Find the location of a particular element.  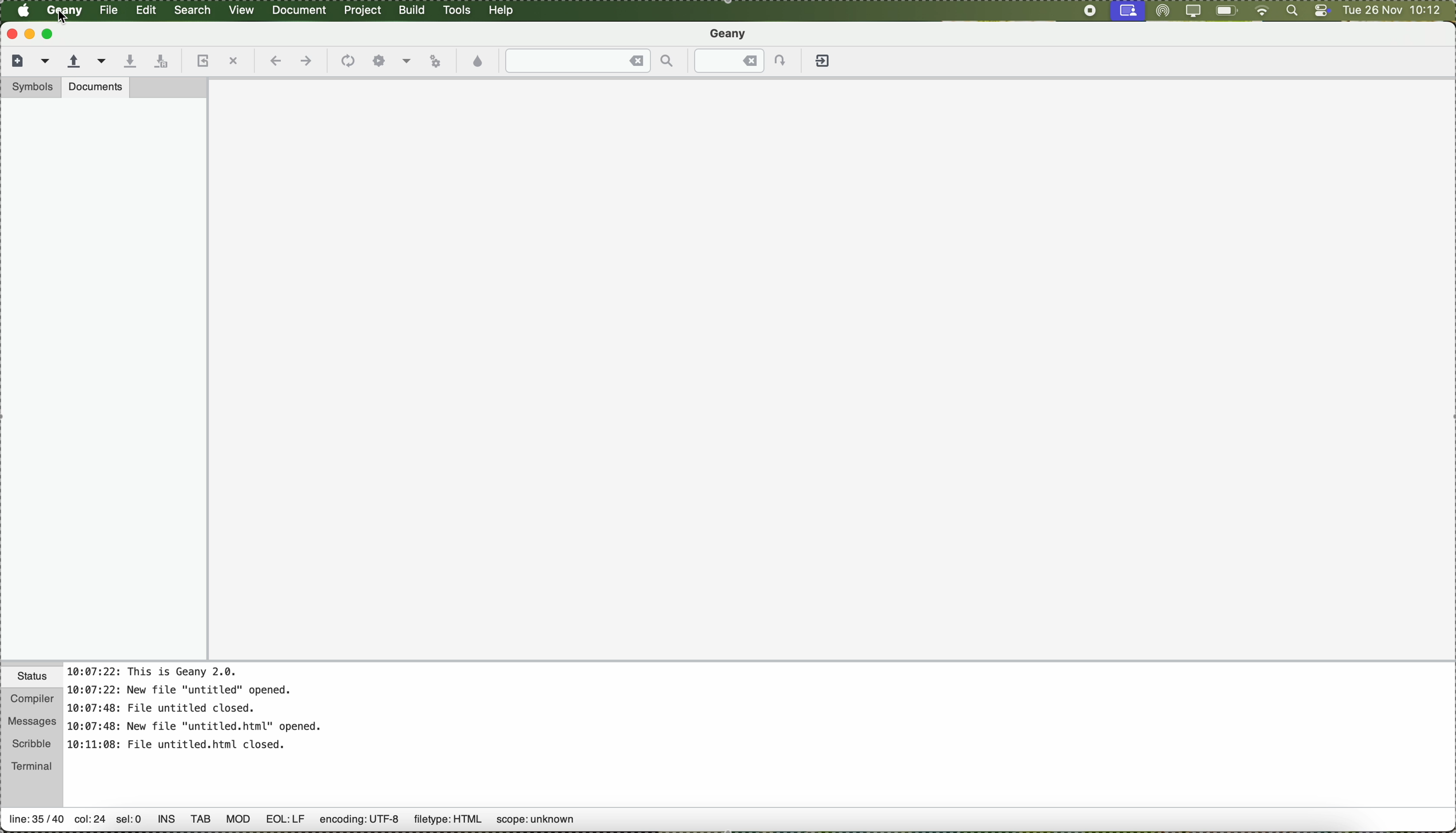

maximize Geany is located at coordinates (51, 36).